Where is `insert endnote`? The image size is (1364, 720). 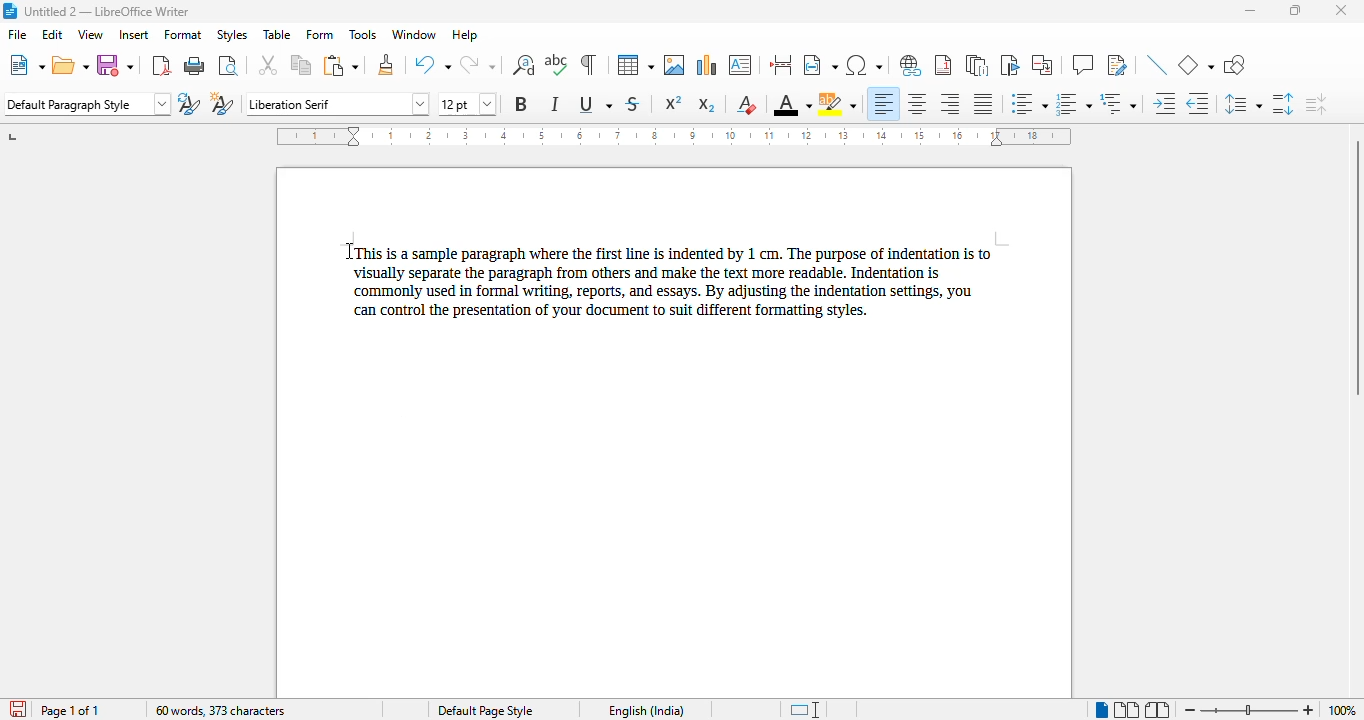
insert endnote is located at coordinates (977, 65).